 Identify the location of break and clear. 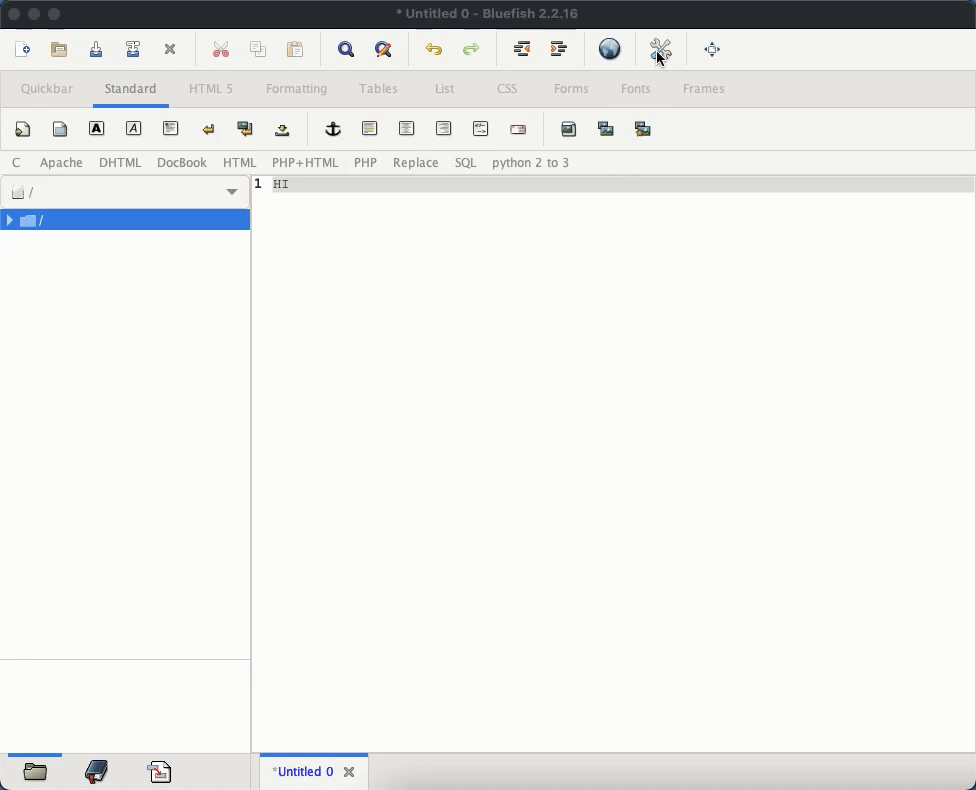
(247, 129).